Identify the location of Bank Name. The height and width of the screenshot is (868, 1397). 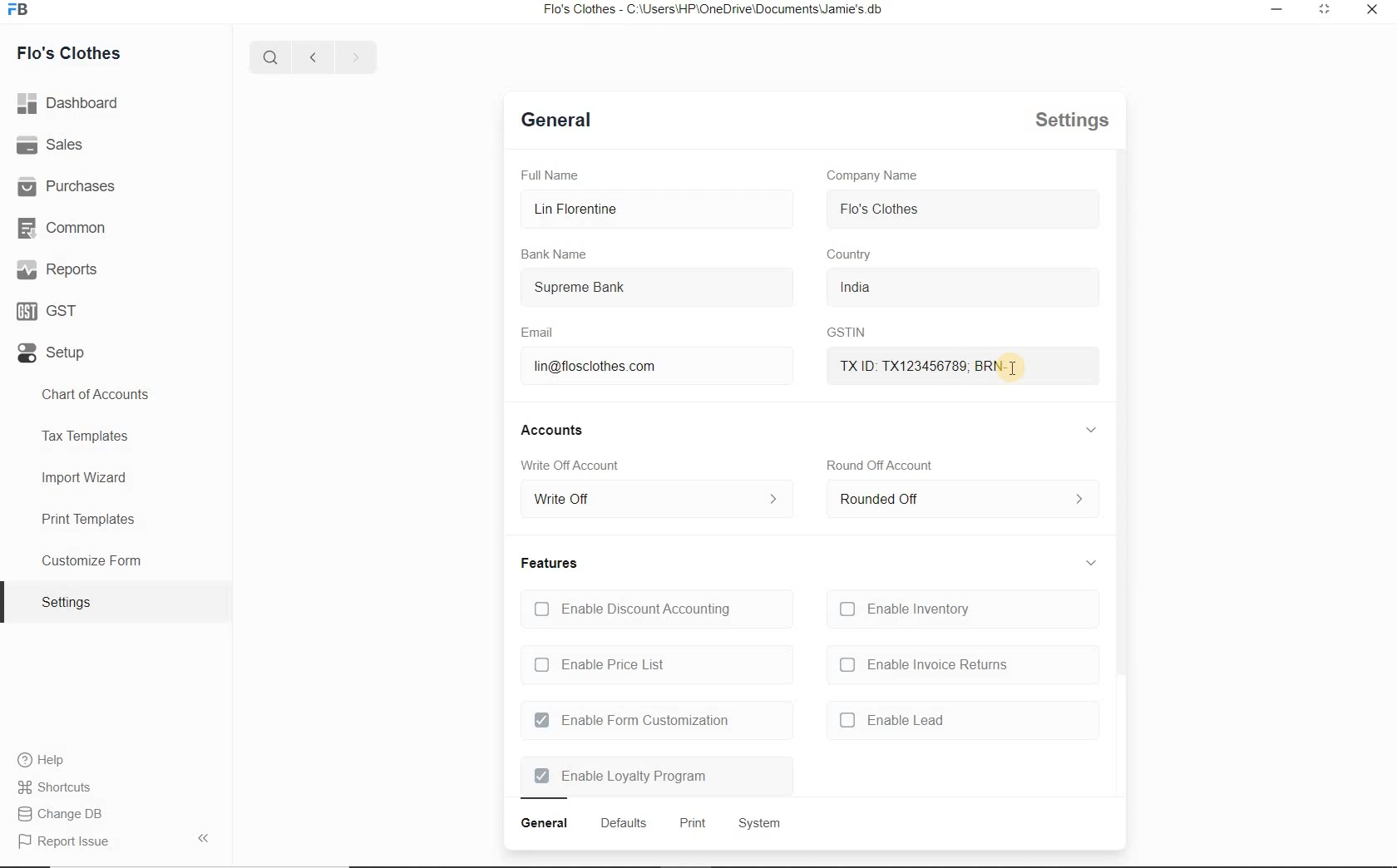
(556, 254).